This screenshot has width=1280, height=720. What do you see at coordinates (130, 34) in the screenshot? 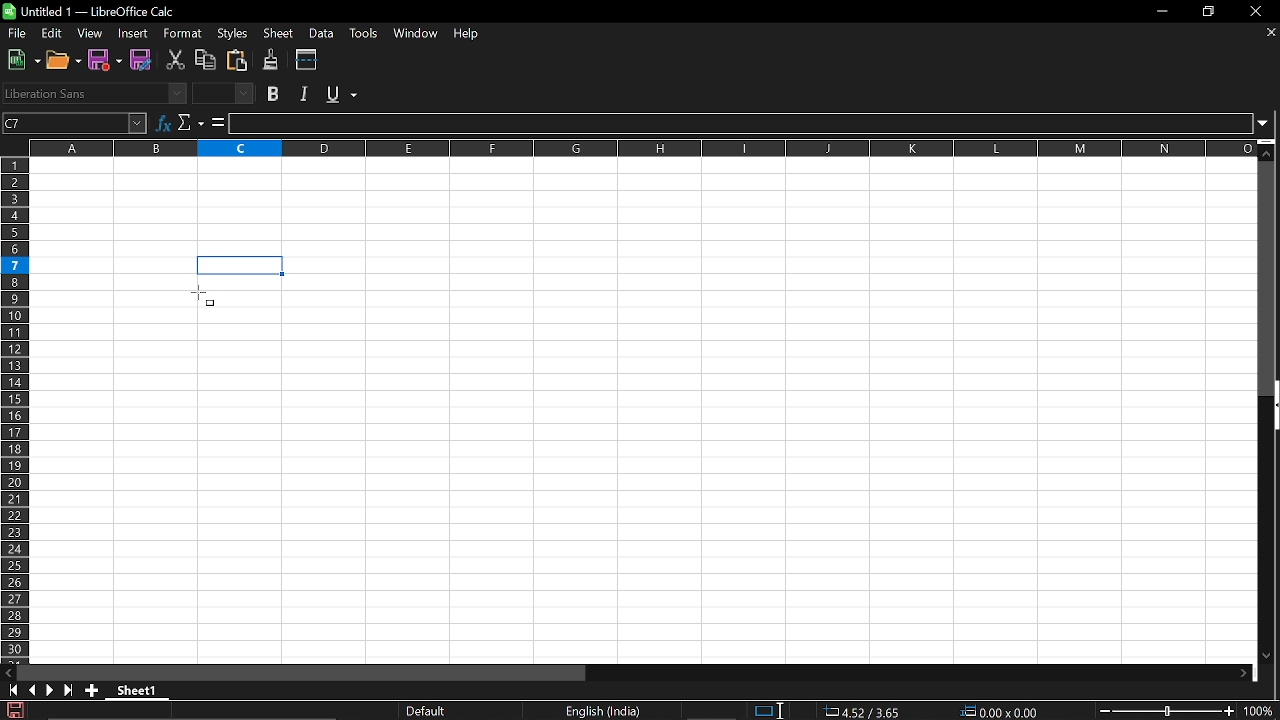
I see `Insert` at bounding box center [130, 34].